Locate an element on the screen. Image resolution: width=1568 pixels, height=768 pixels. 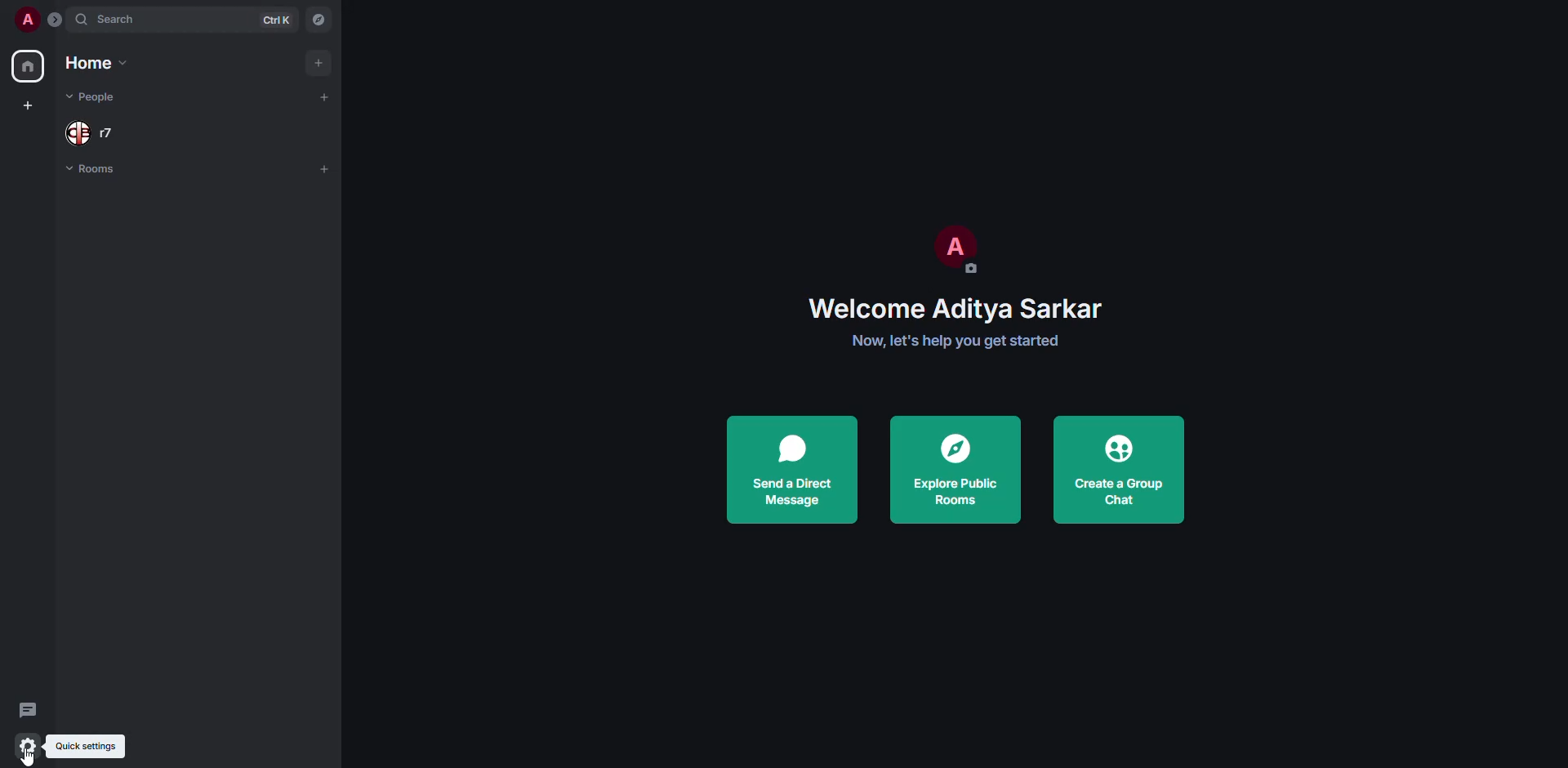
quick settings is located at coordinates (89, 748).